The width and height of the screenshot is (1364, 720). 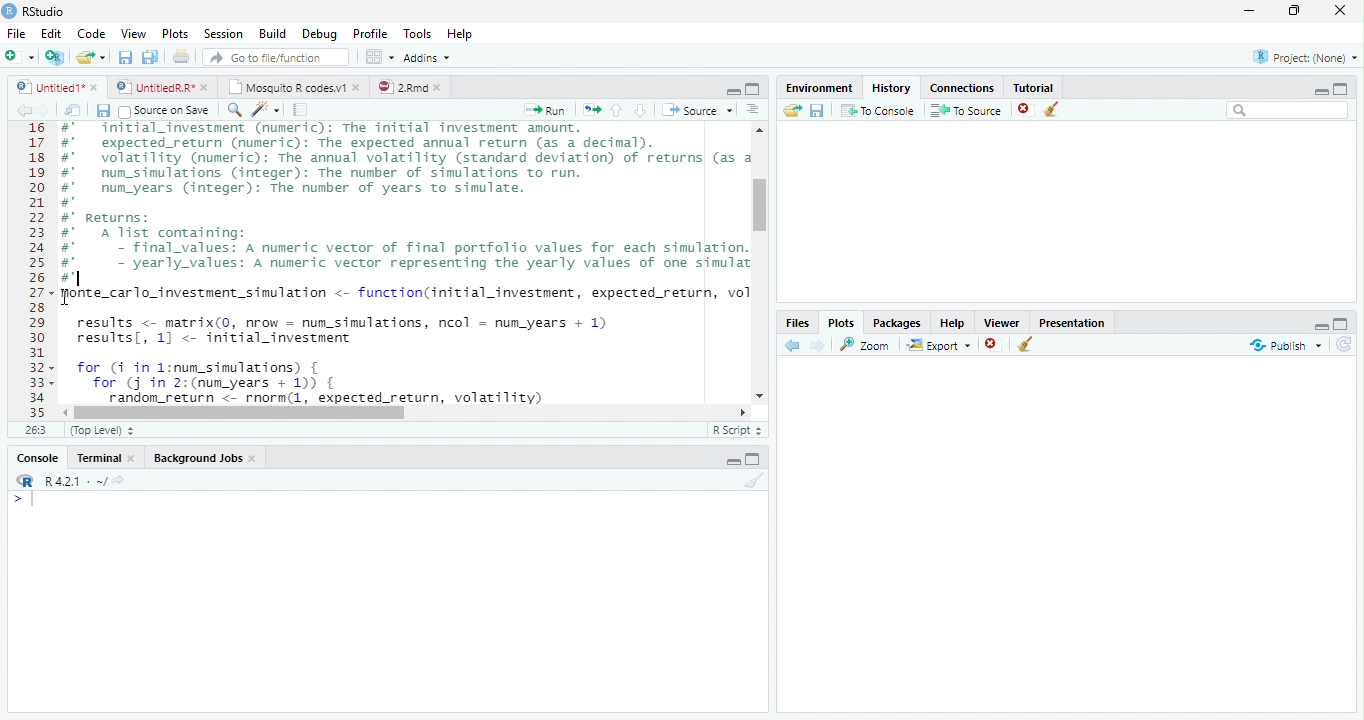 What do you see at coordinates (181, 56) in the screenshot?
I see `Print` at bounding box center [181, 56].